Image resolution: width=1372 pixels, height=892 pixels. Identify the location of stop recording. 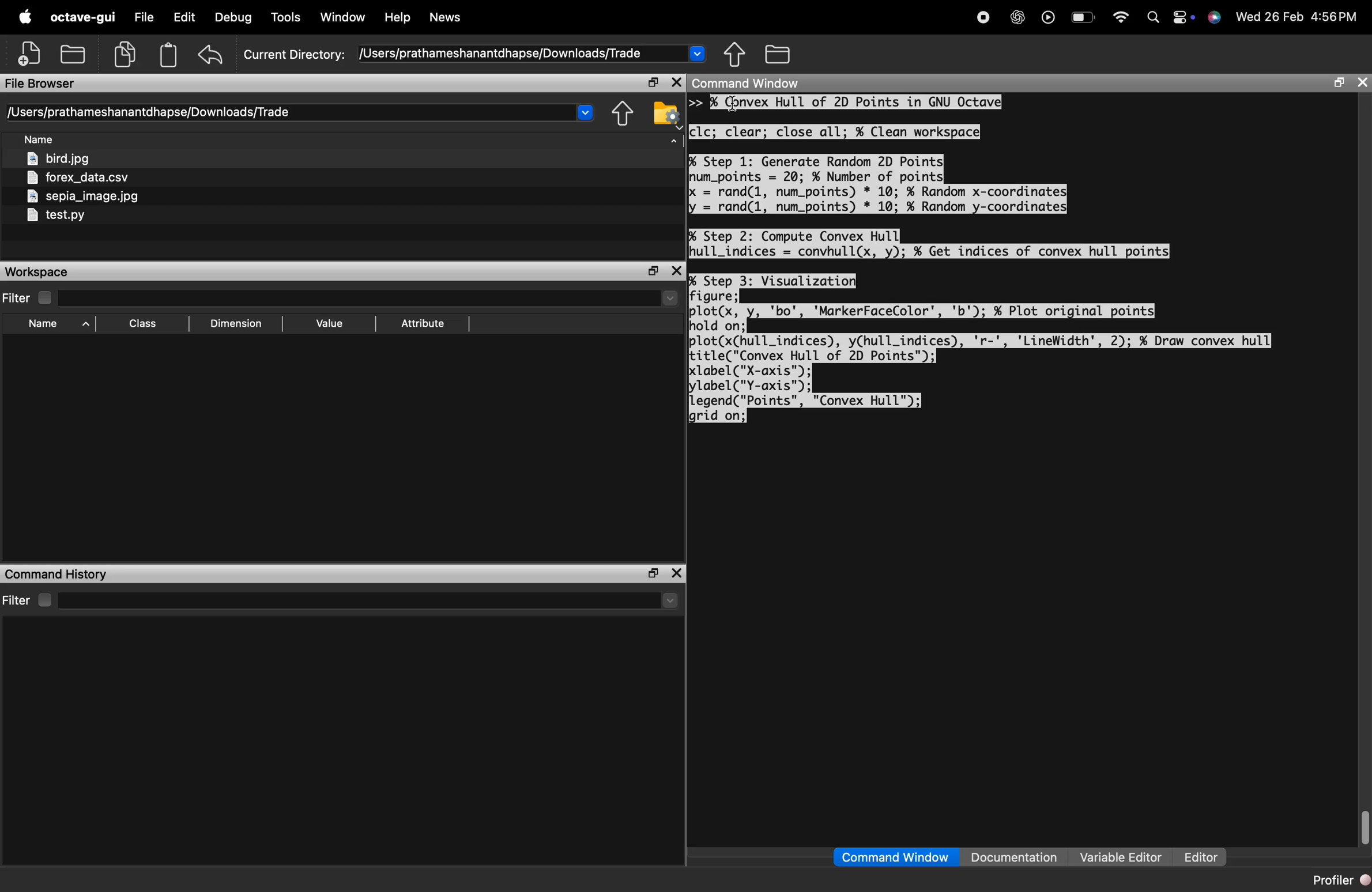
(986, 16).